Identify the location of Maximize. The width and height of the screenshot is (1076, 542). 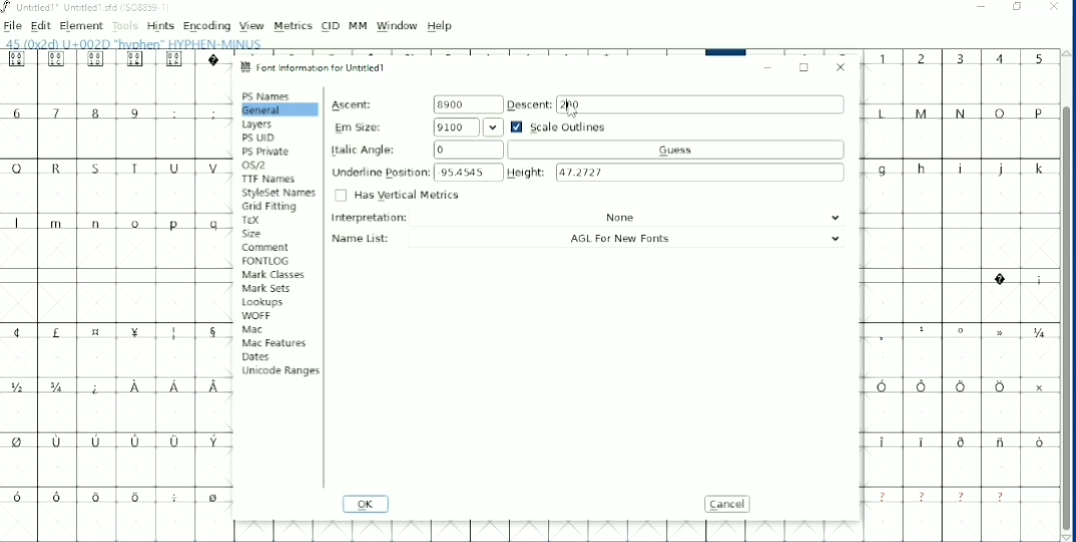
(805, 68).